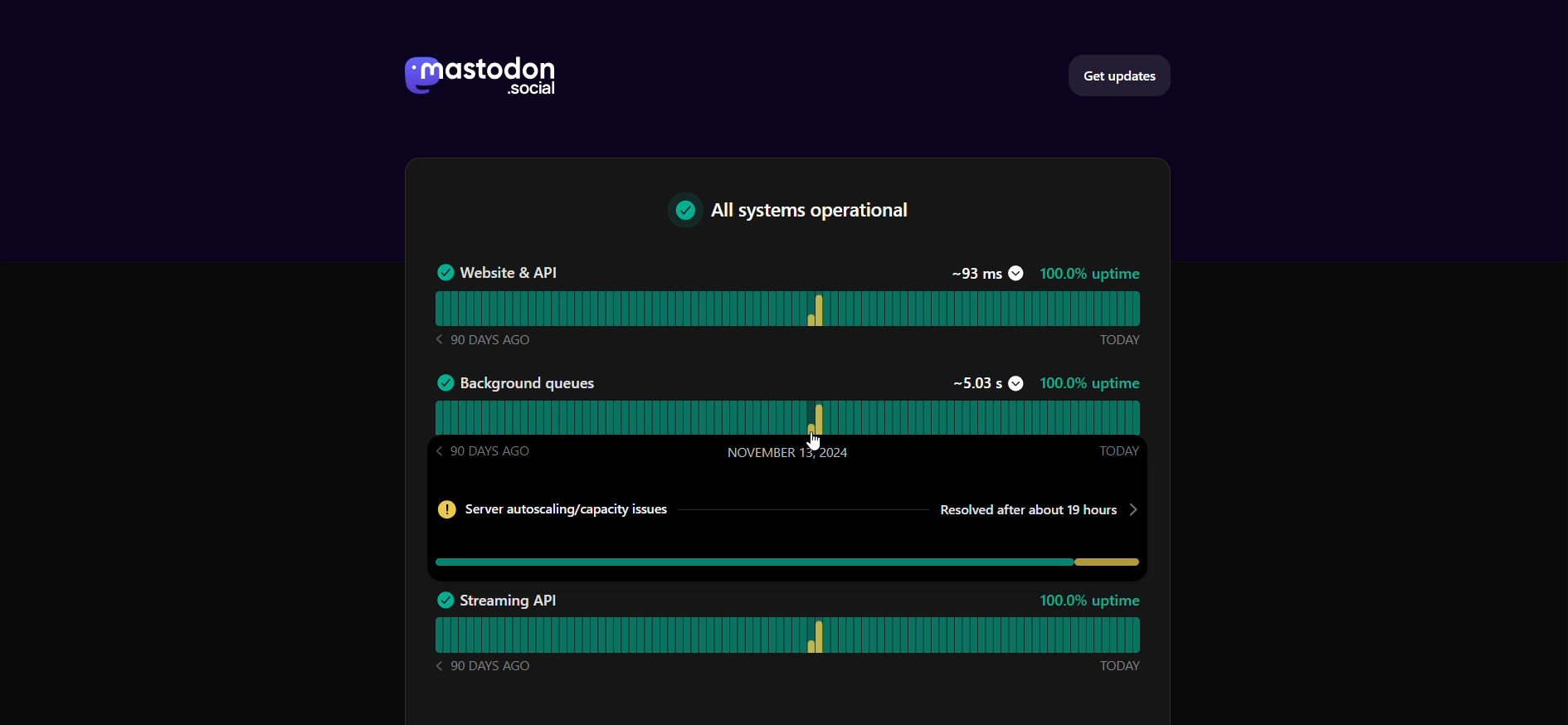  I want to click on 100.0% uptime, so click(1090, 274).